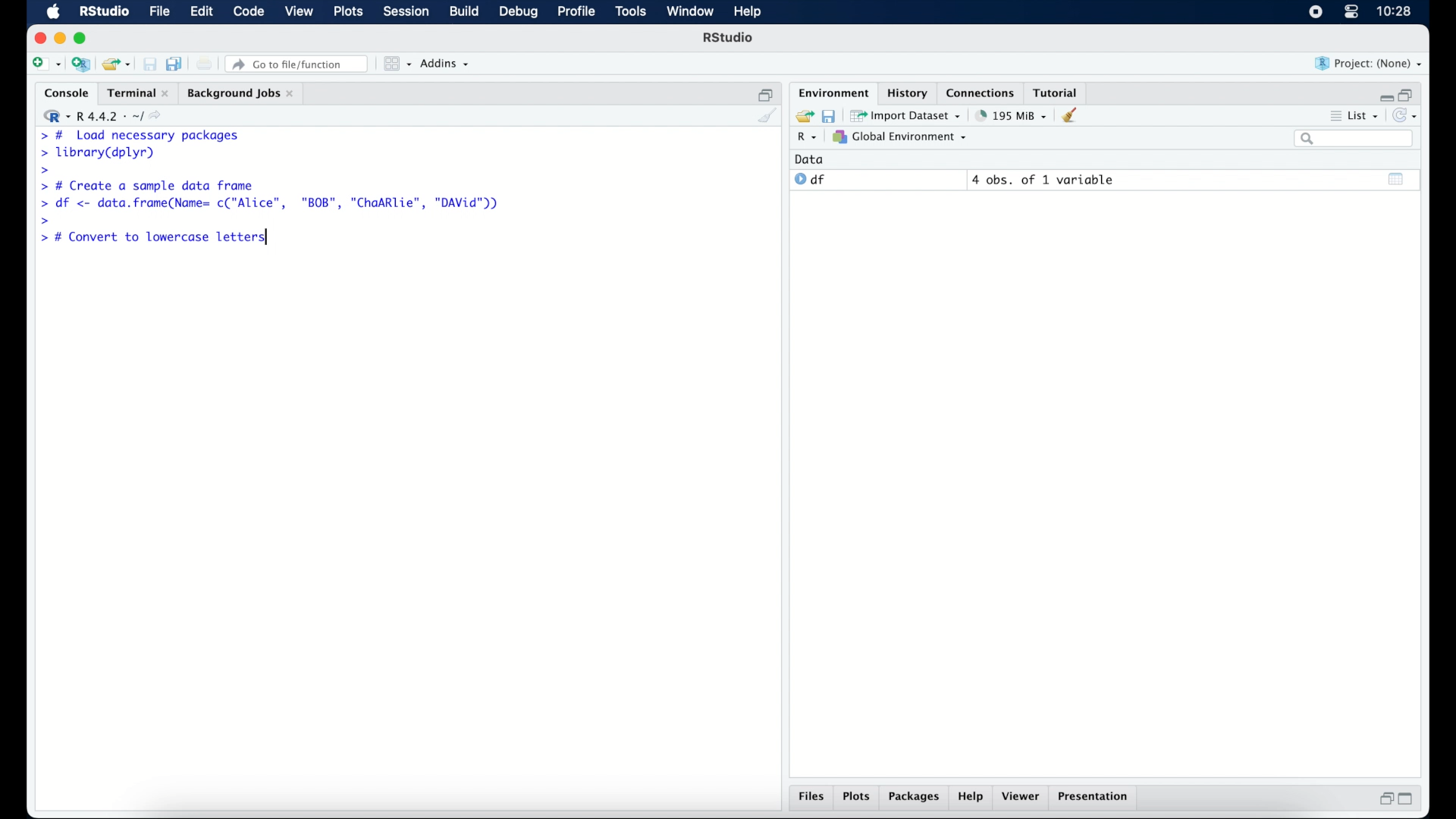 This screenshot has width=1456, height=819. Describe the element at coordinates (1353, 140) in the screenshot. I see `search bar` at that location.